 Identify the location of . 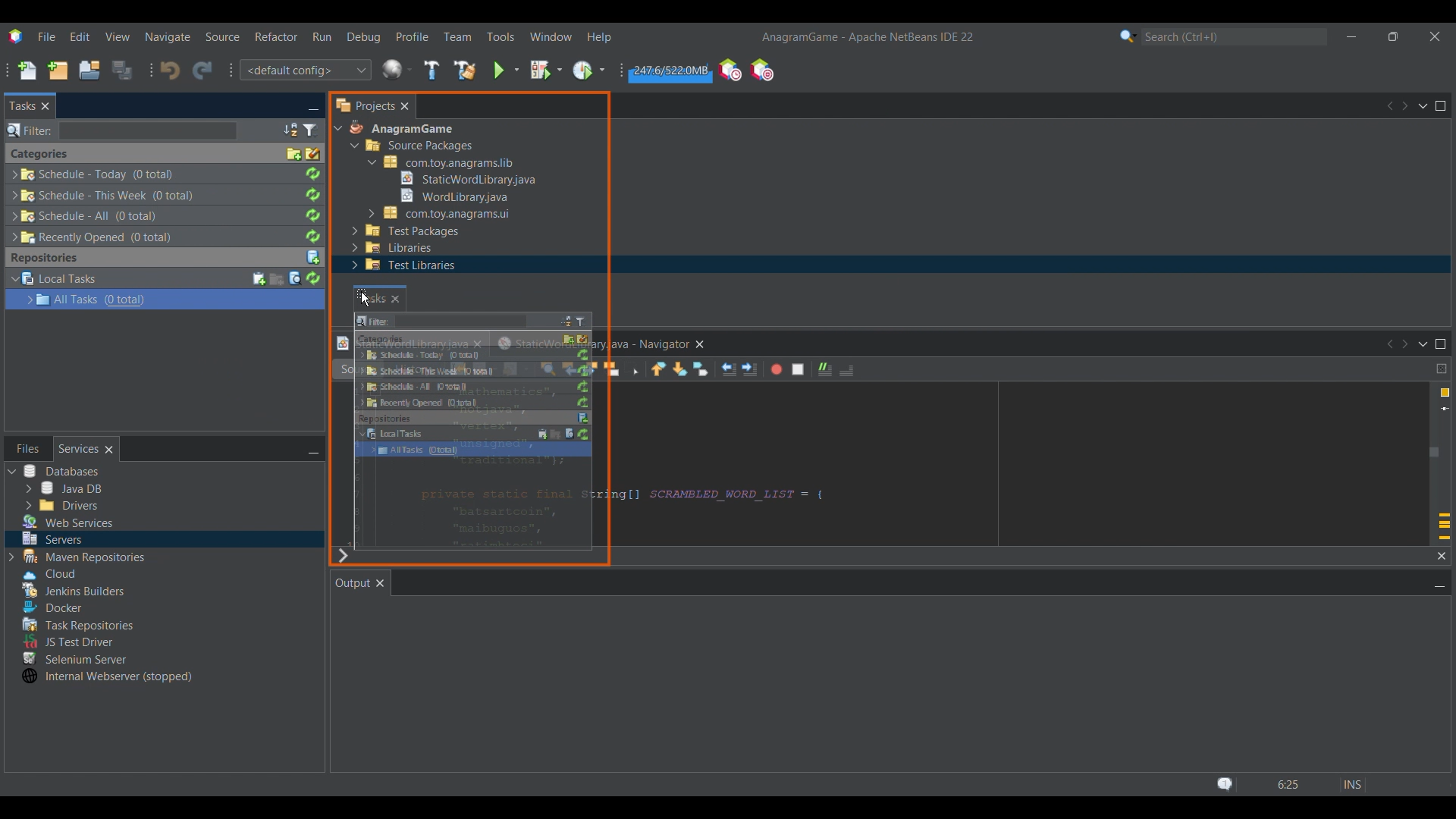
(399, 130).